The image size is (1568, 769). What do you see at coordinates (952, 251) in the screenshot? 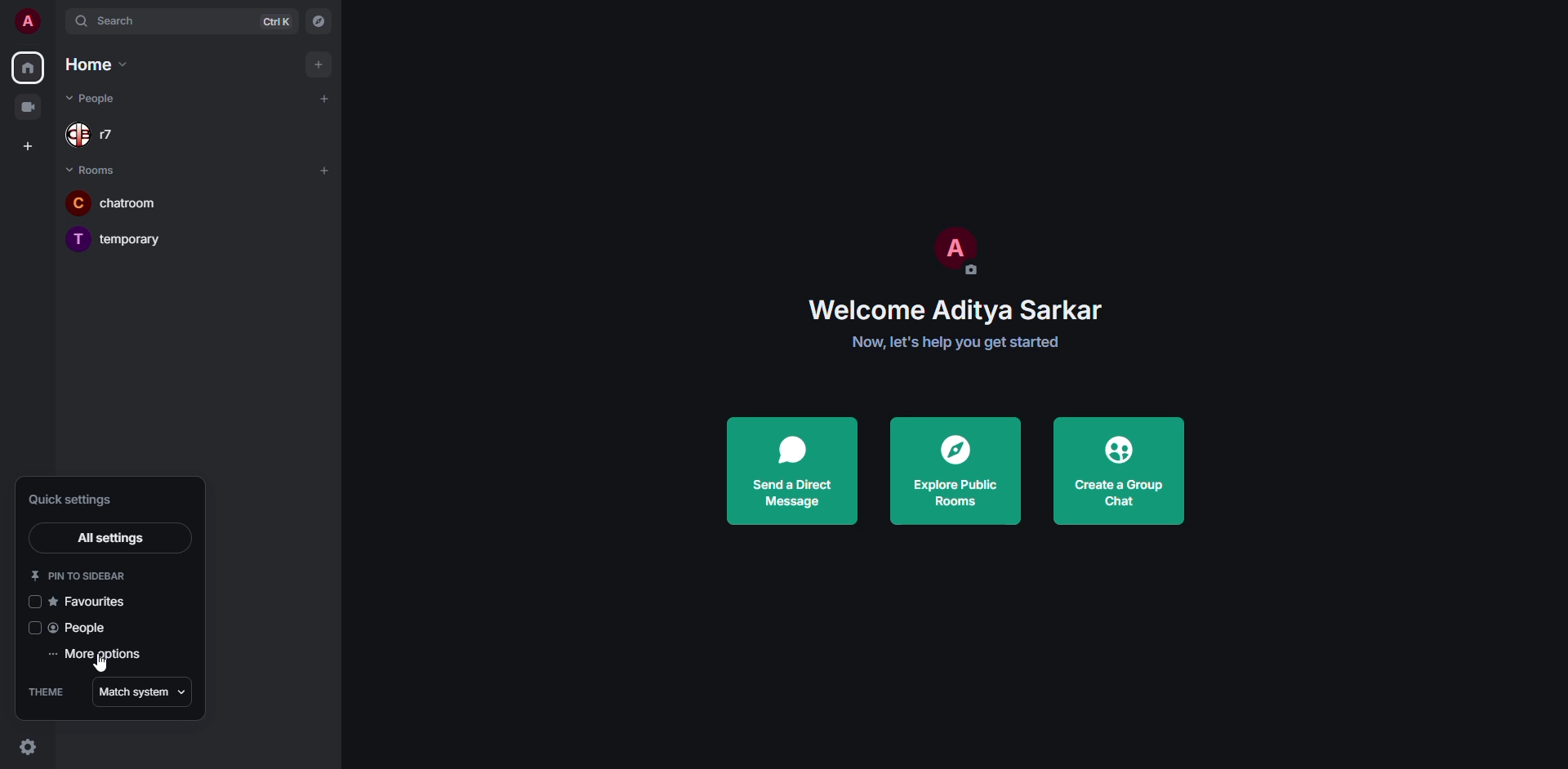
I see `profile pic` at bounding box center [952, 251].